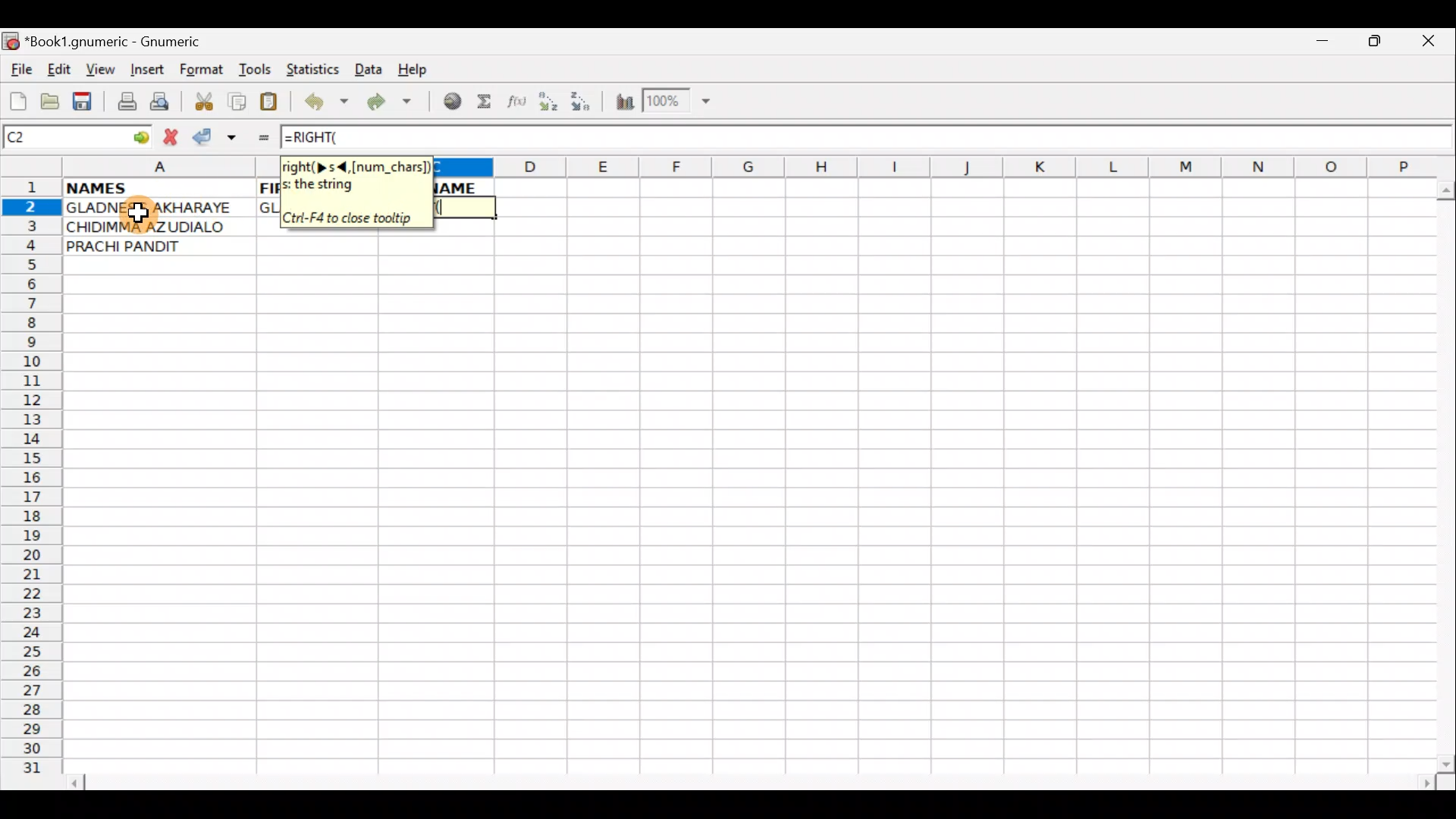 Image resolution: width=1456 pixels, height=819 pixels. I want to click on Cancel change, so click(174, 134).